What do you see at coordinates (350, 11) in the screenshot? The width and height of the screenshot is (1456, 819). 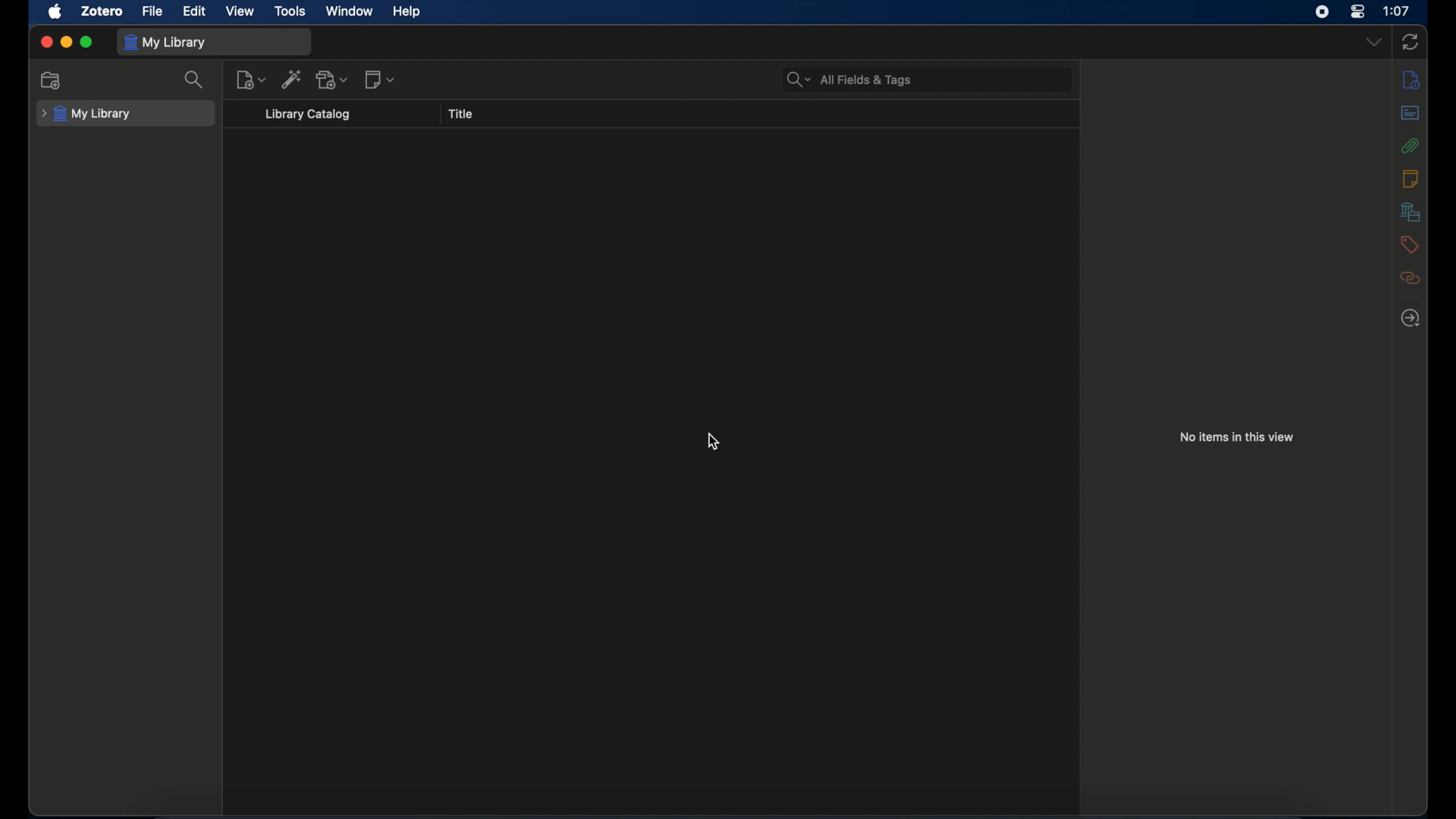 I see `window` at bounding box center [350, 11].